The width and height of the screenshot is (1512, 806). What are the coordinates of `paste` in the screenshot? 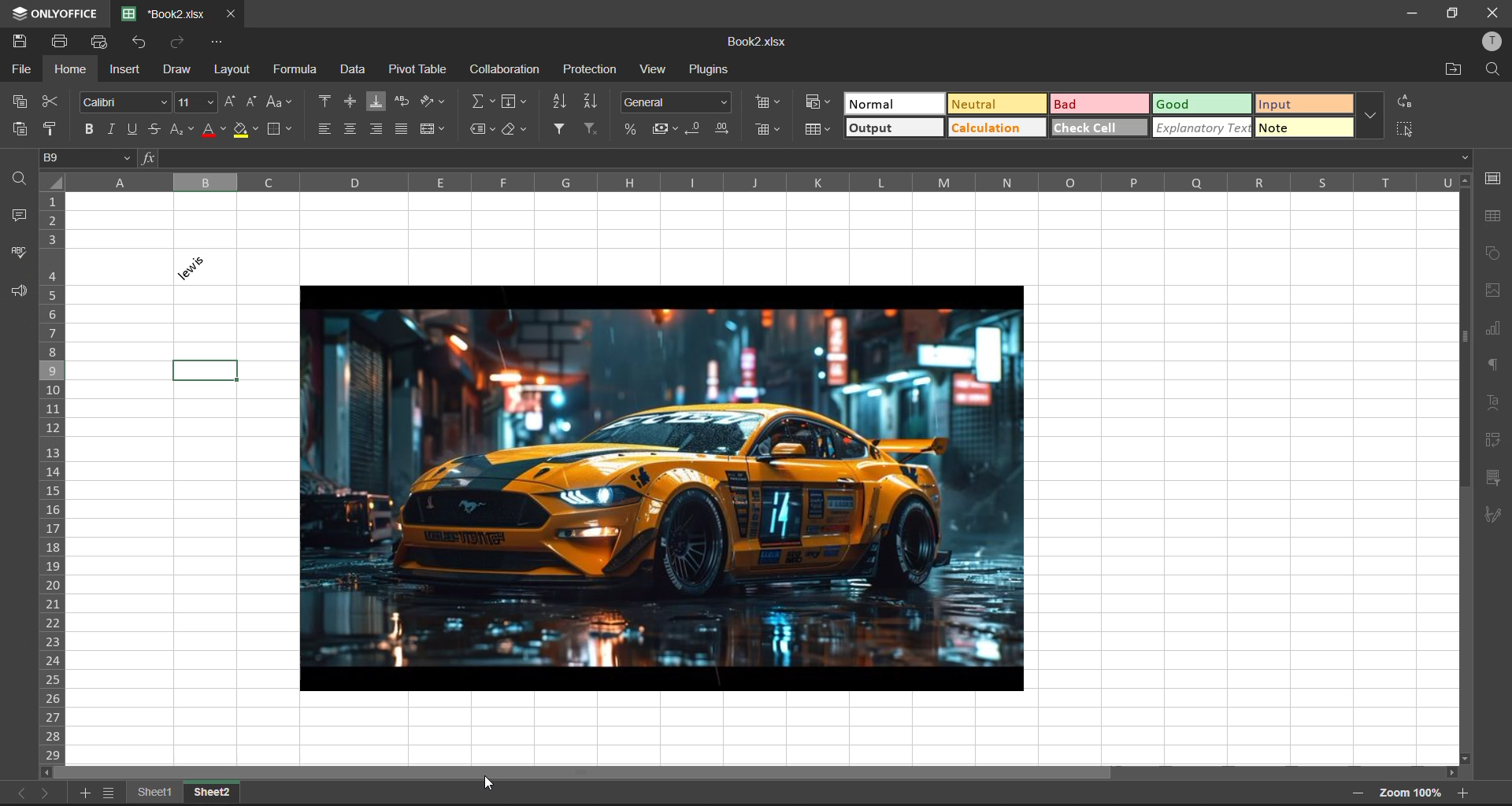 It's located at (14, 129).